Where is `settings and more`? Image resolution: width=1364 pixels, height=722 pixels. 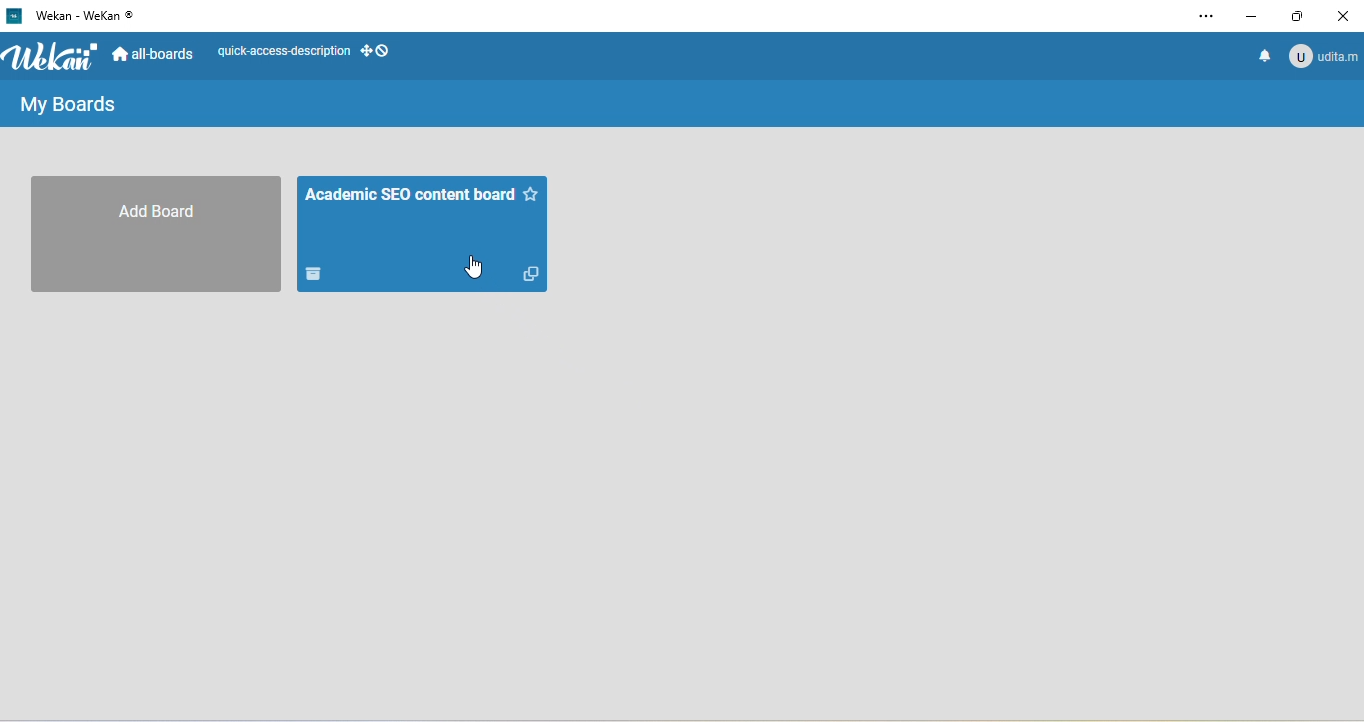 settings and more is located at coordinates (1204, 18).